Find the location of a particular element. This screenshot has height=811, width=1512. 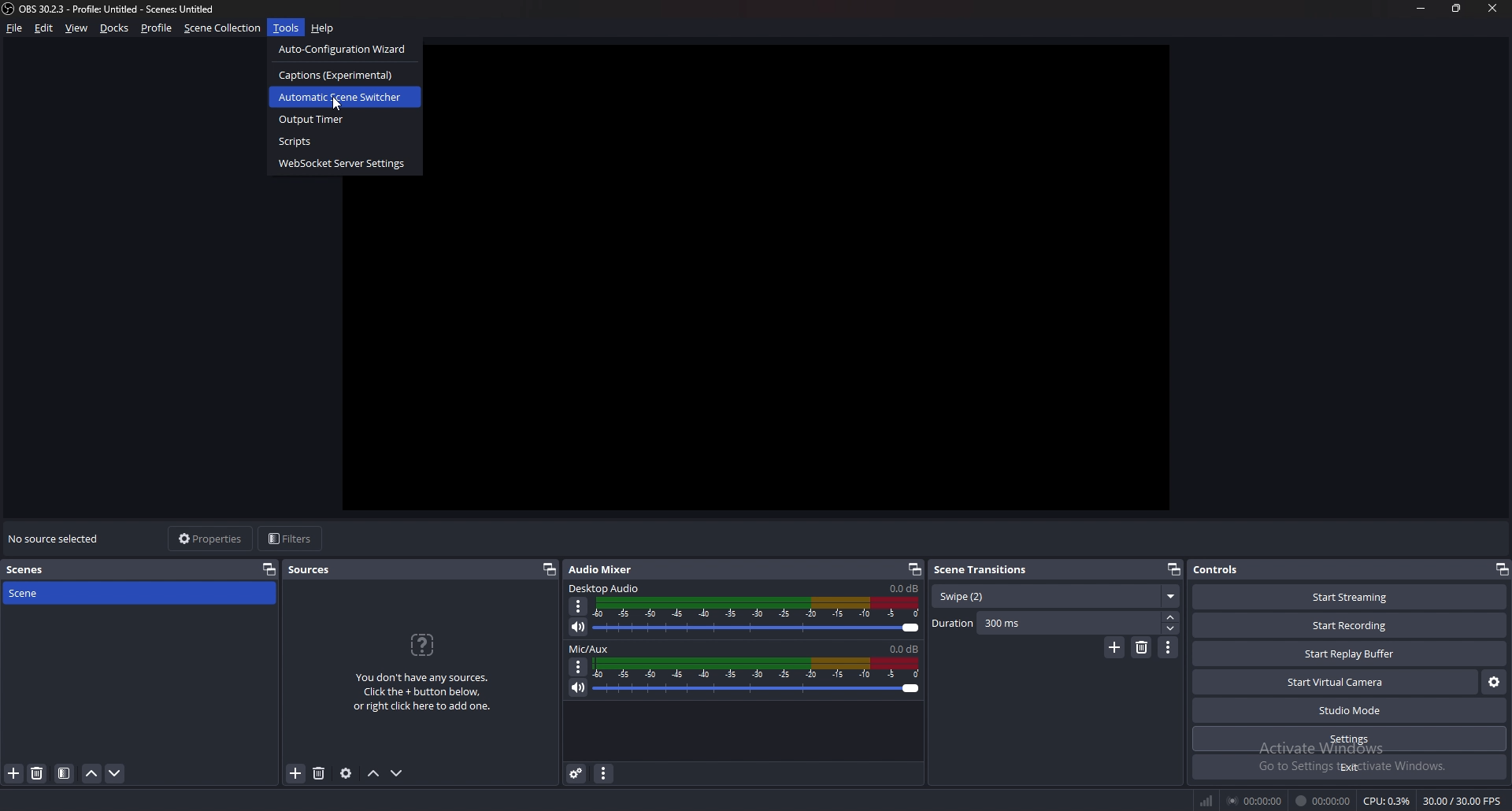

mic/aux is located at coordinates (589, 649).